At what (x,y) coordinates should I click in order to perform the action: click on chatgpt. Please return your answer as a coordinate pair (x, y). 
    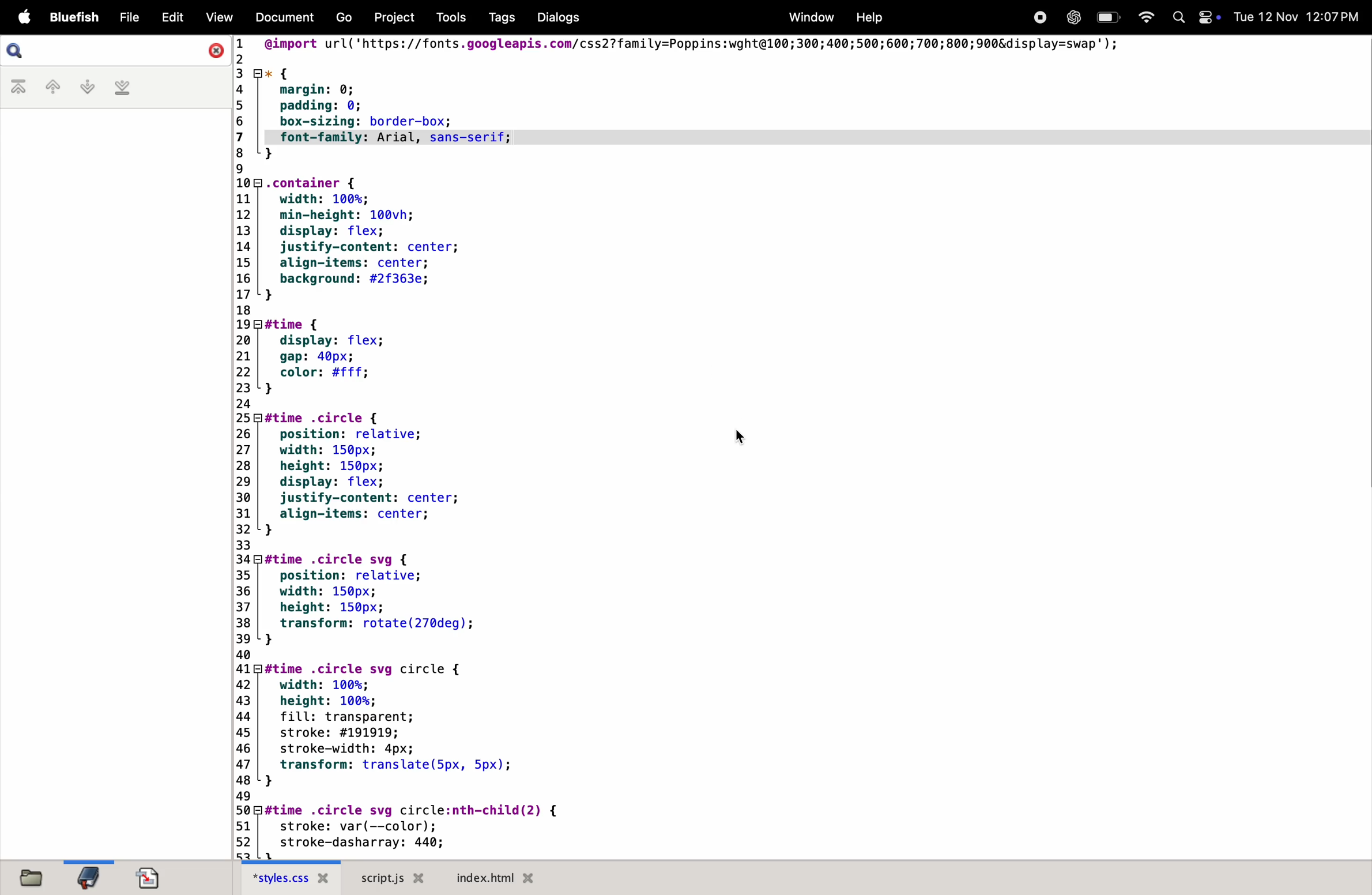
    Looking at the image, I should click on (1071, 17).